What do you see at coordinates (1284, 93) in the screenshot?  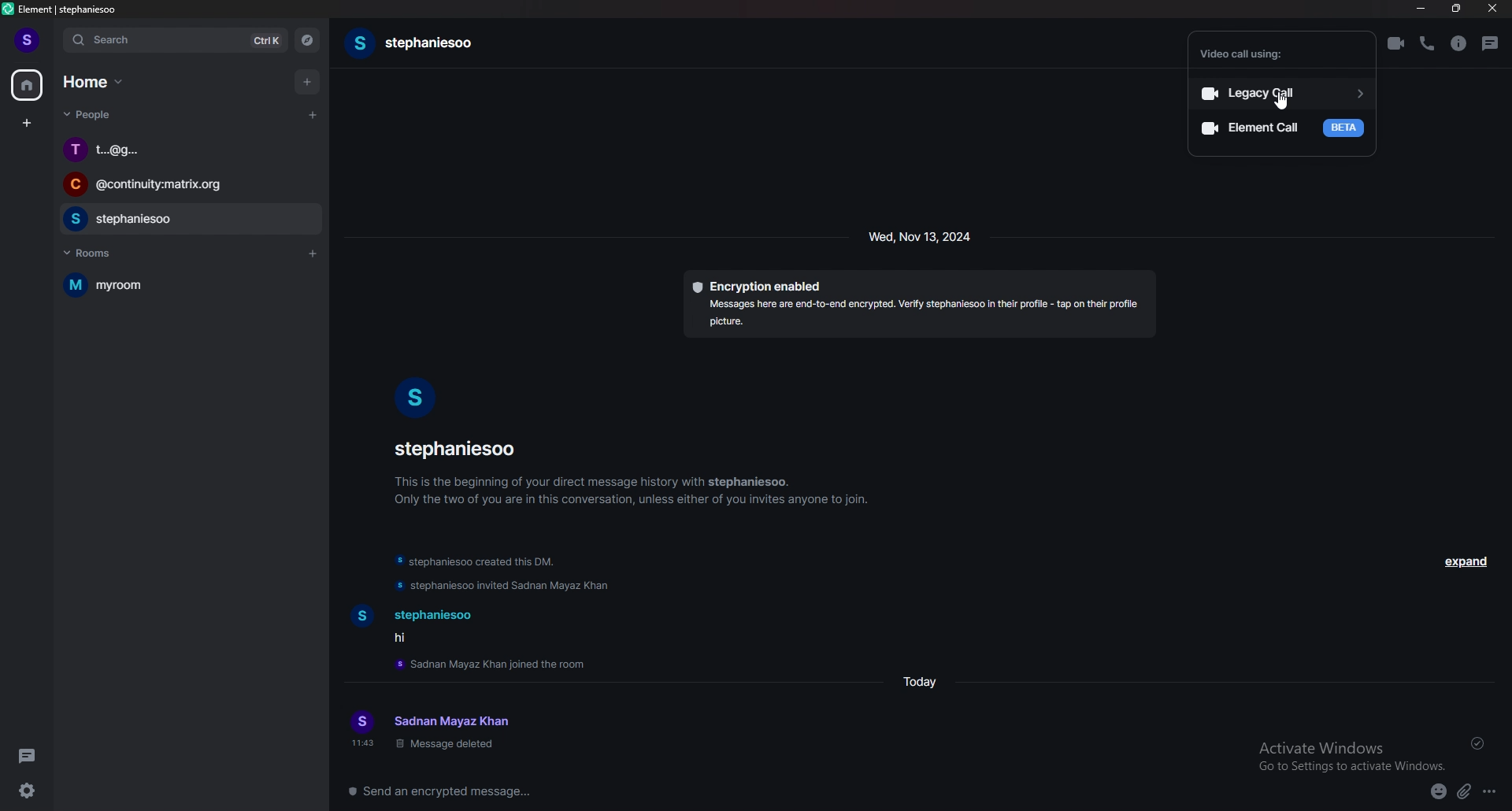 I see `legacy call` at bounding box center [1284, 93].